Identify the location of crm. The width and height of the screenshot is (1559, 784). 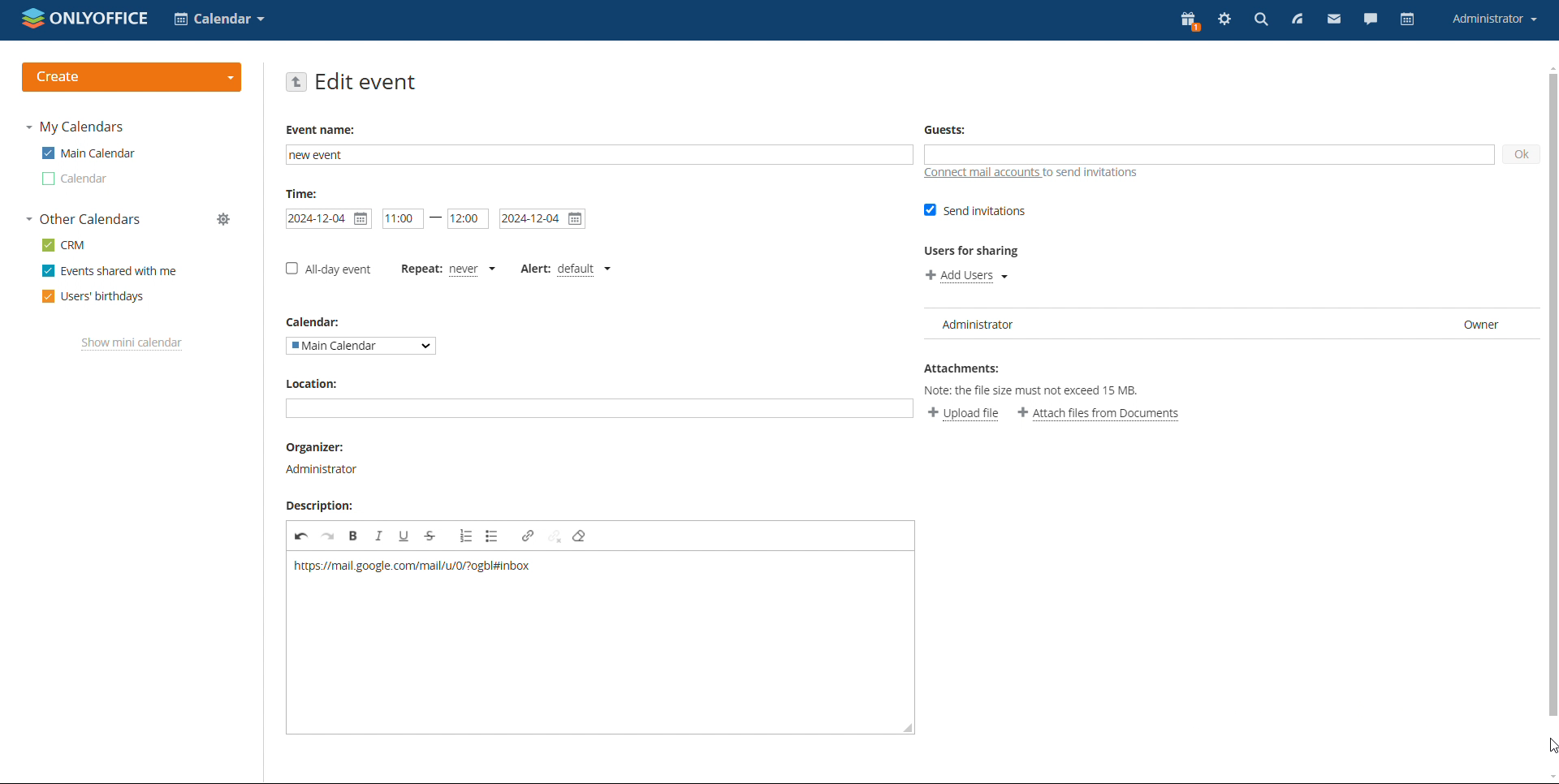
(64, 244).